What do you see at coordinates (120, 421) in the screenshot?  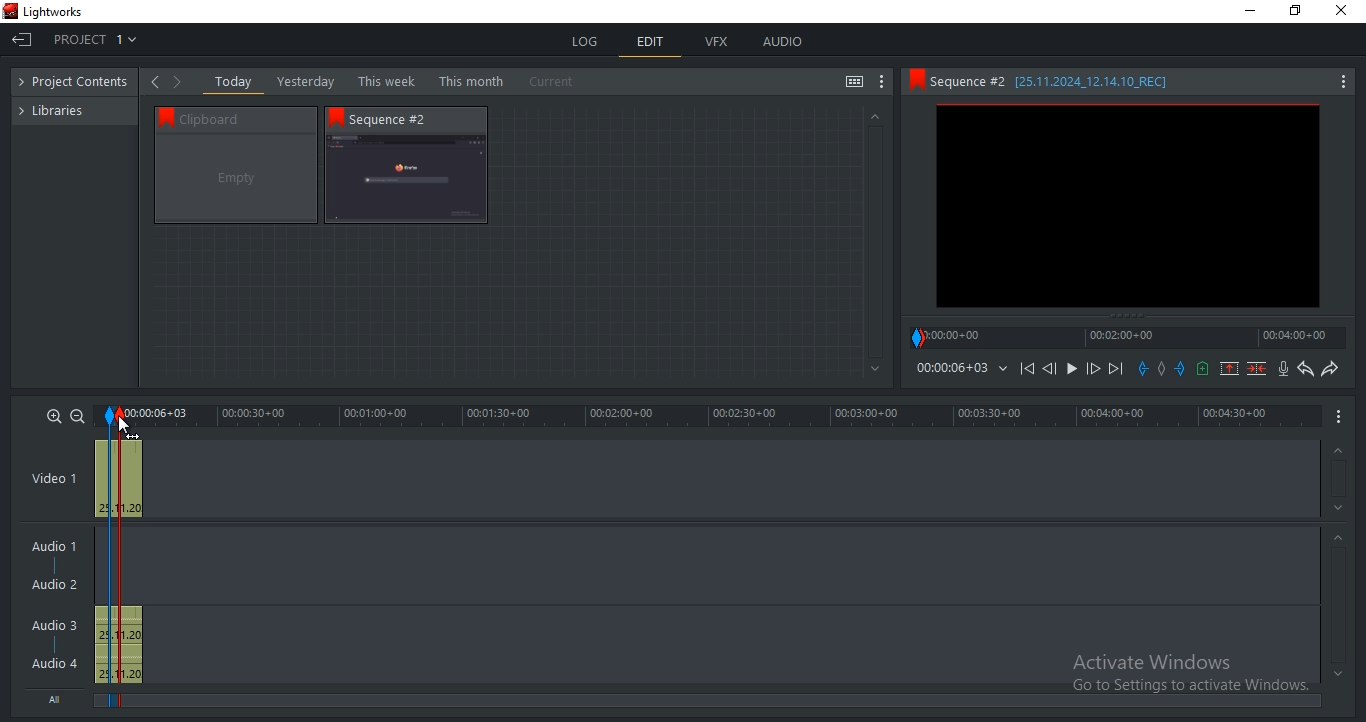 I see `Pointer cursor` at bounding box center [120, 421].